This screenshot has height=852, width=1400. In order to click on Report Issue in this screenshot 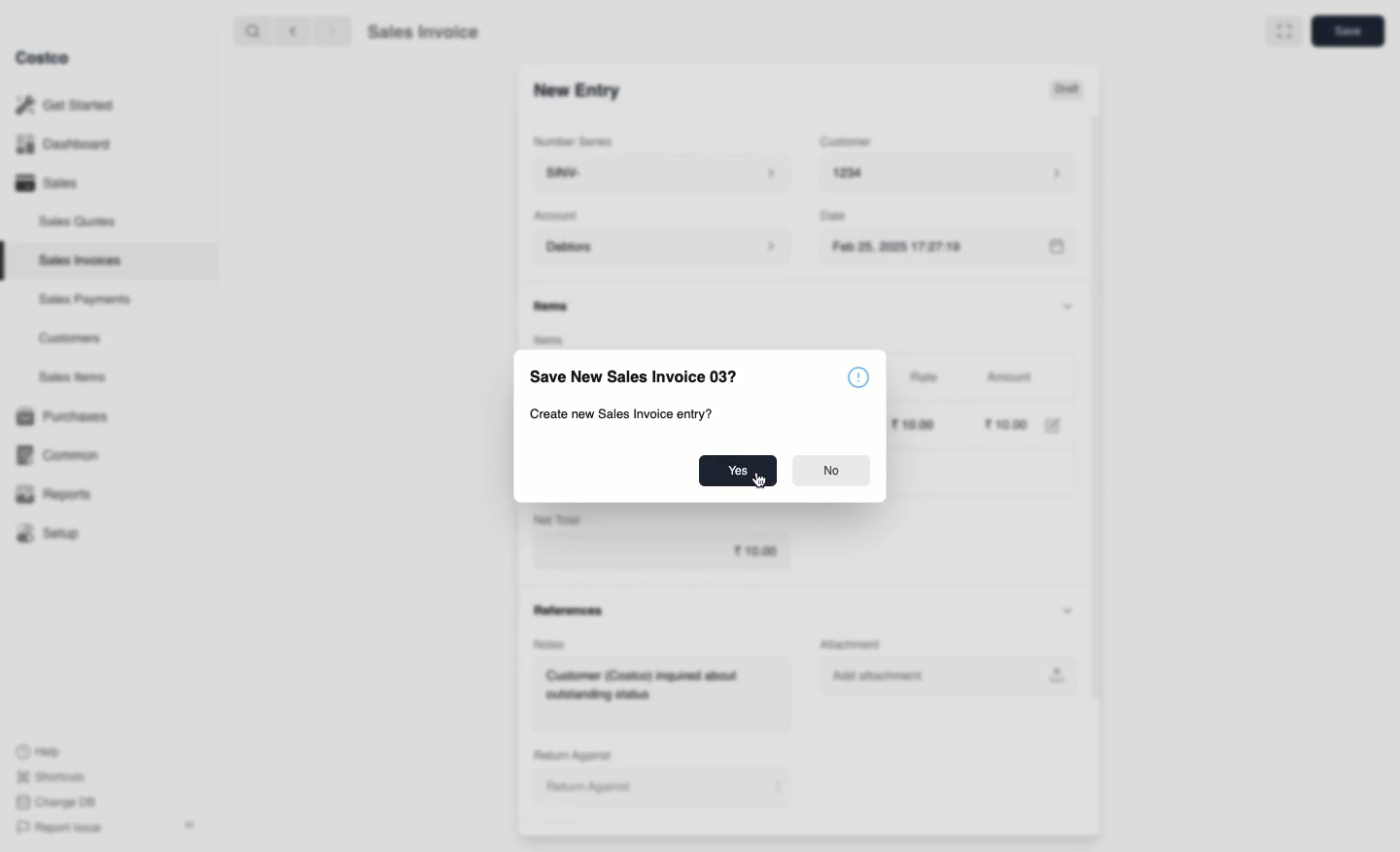, I will do `click(61, 828)`.